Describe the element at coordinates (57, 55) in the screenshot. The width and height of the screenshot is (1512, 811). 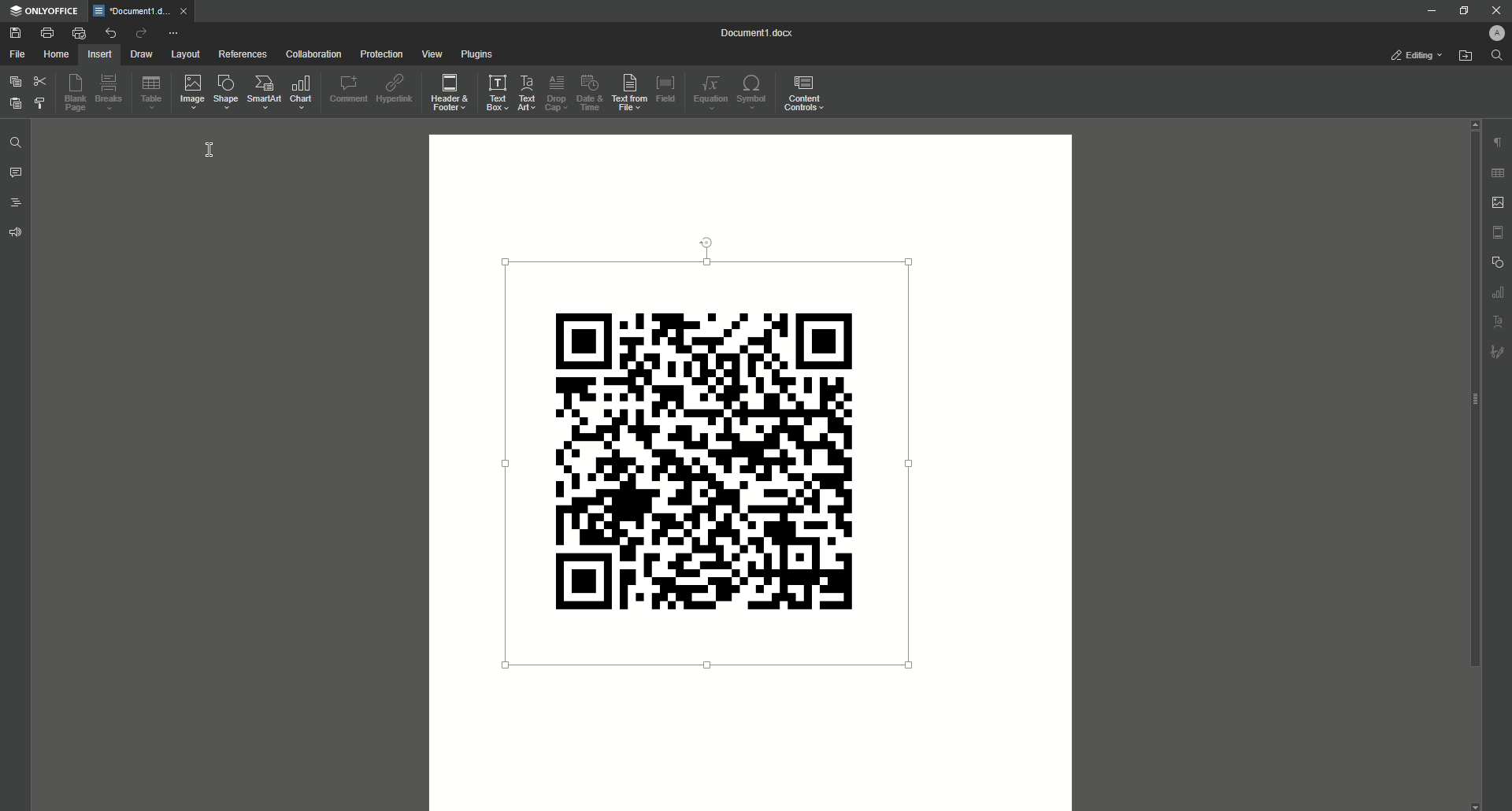
I see `Home` at that location.